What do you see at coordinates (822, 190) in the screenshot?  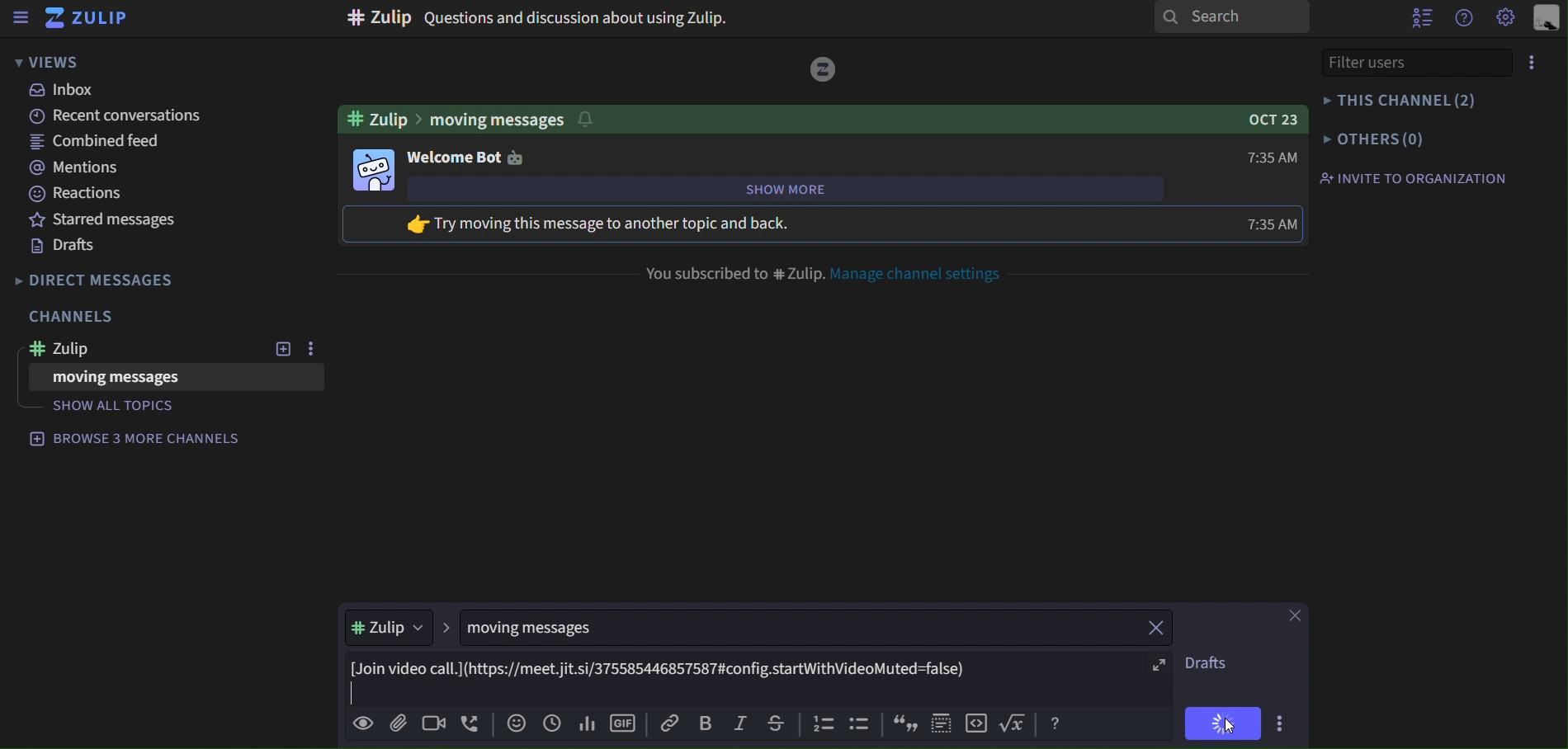 I see `show more` at bounding box center [822, 190].